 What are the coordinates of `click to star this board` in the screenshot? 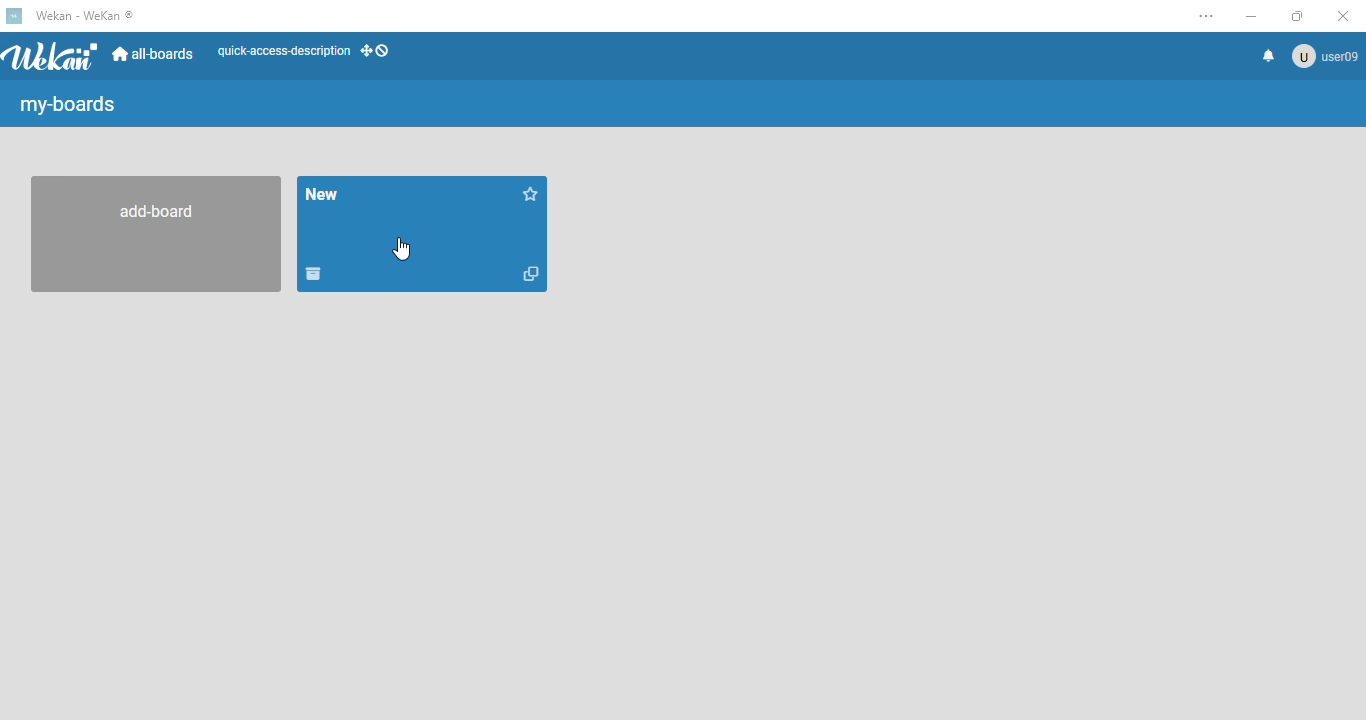 It's located at (531, 193).